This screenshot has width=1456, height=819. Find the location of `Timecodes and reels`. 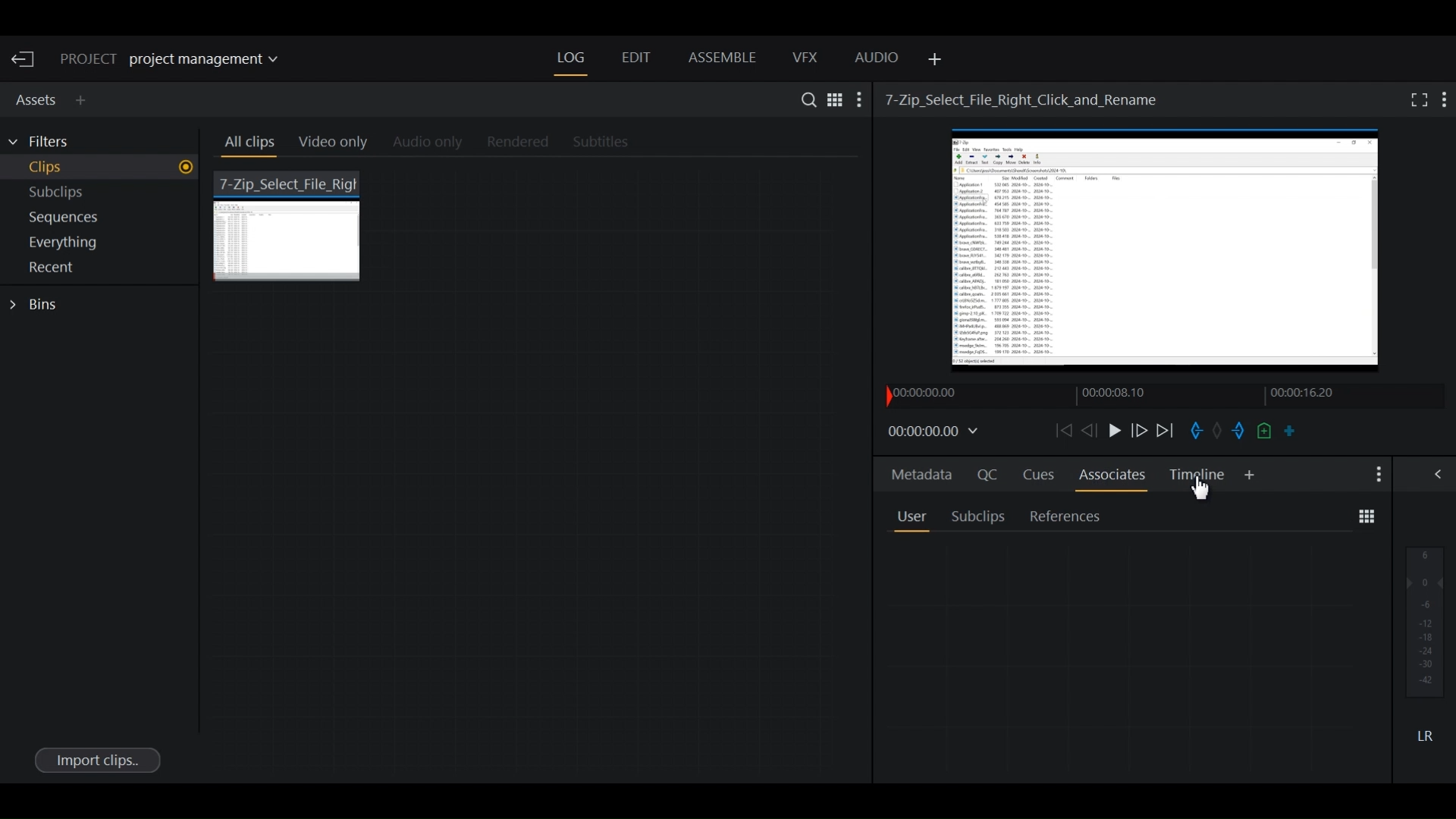

Timecodes and reels is located at coordinates (936, 432).